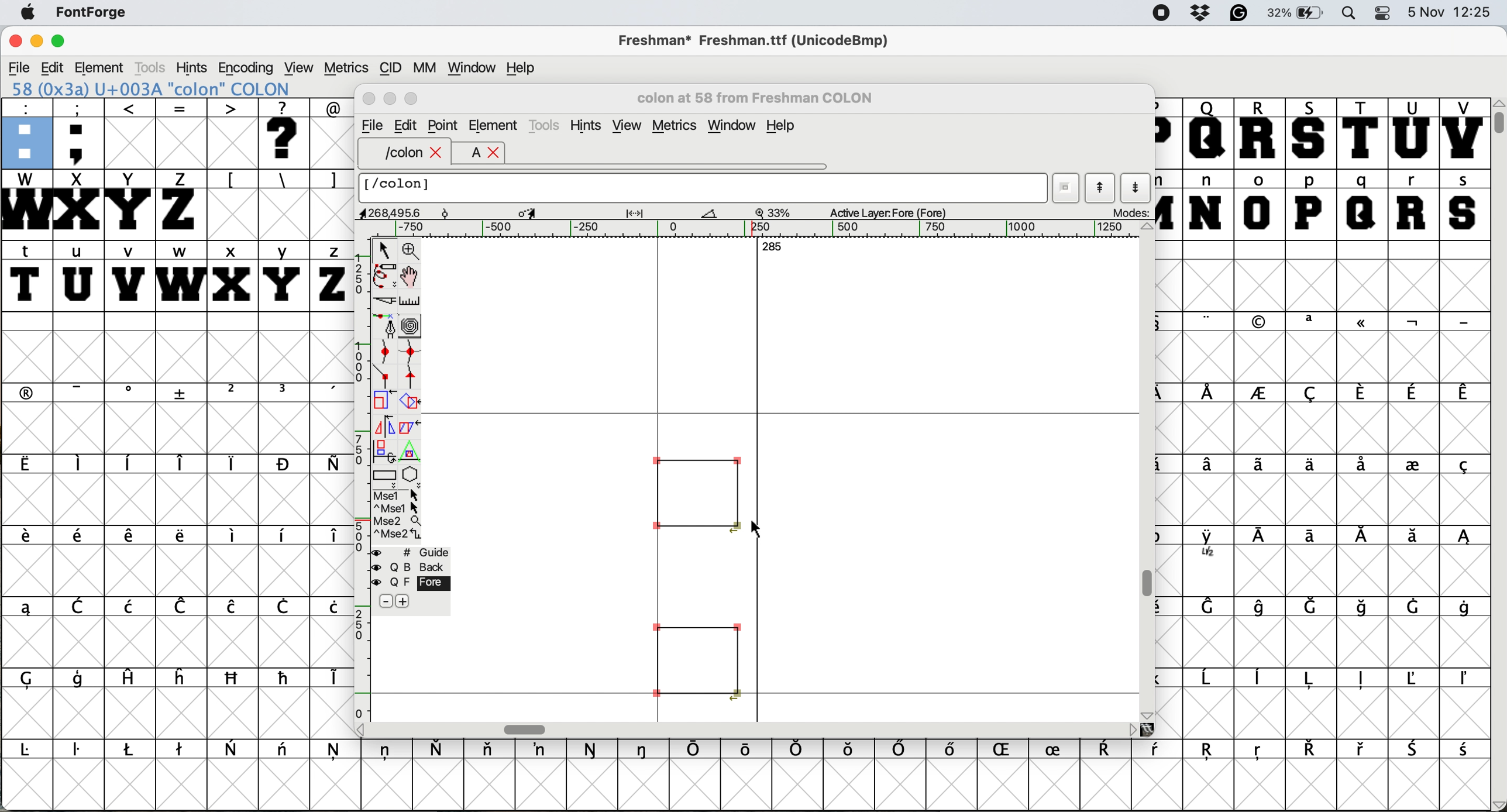  Describe the element at coordinates (181, 750) in the screenshot. I see `symbol` at that location.